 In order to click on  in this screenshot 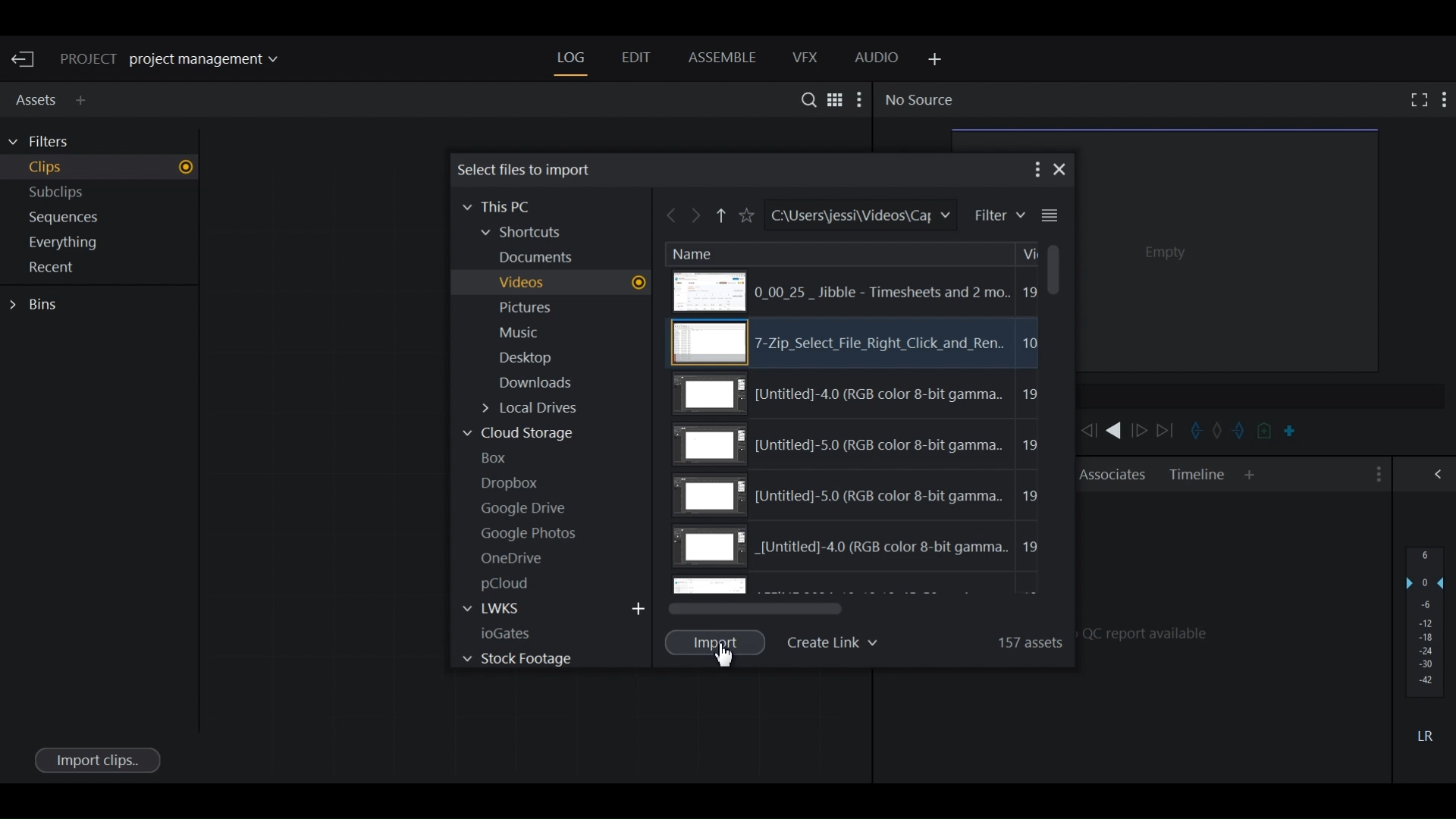, I will do `click(520, 433)`.